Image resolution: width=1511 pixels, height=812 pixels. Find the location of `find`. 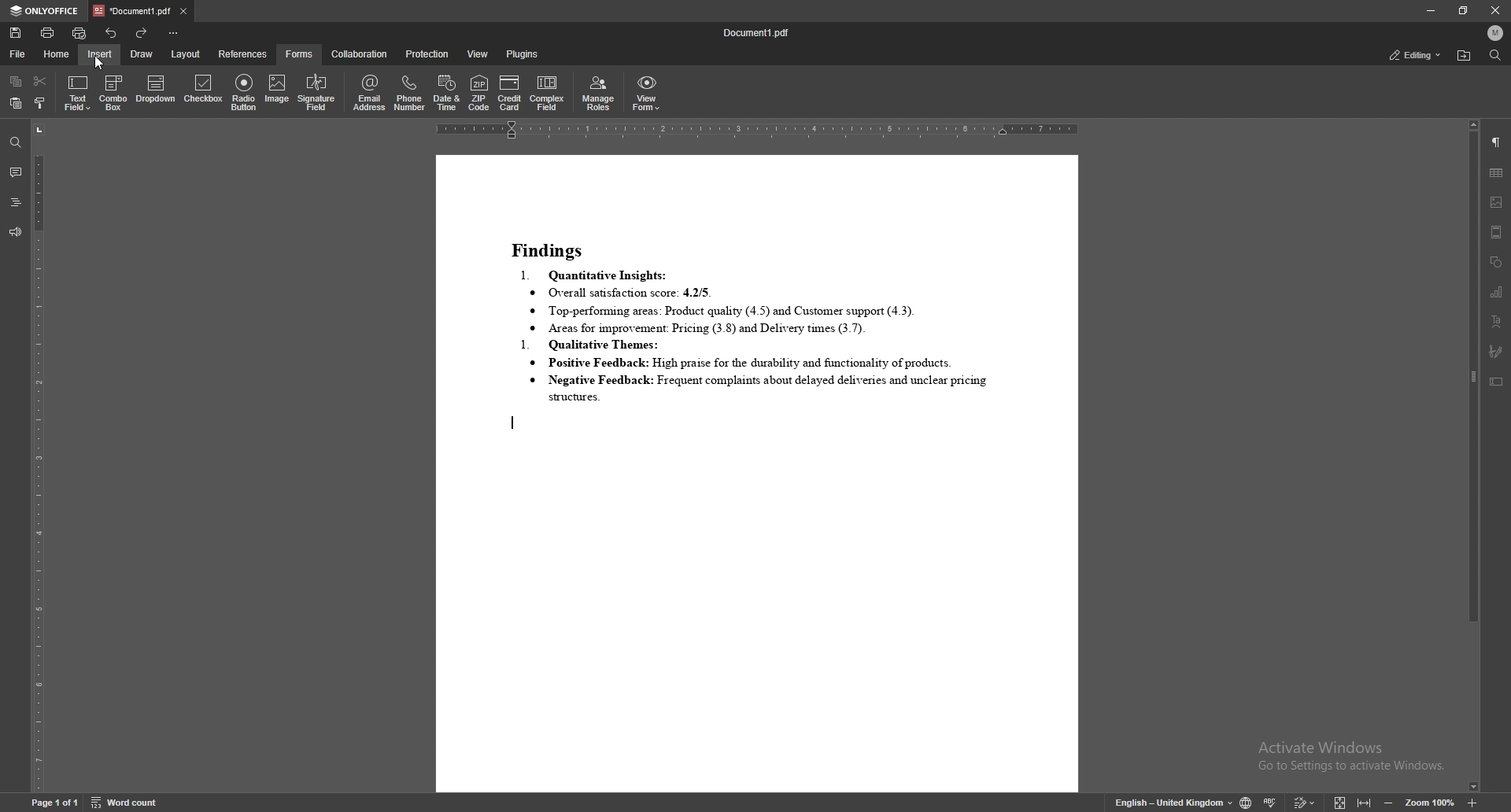

find is located at coordinates (1495, 54).